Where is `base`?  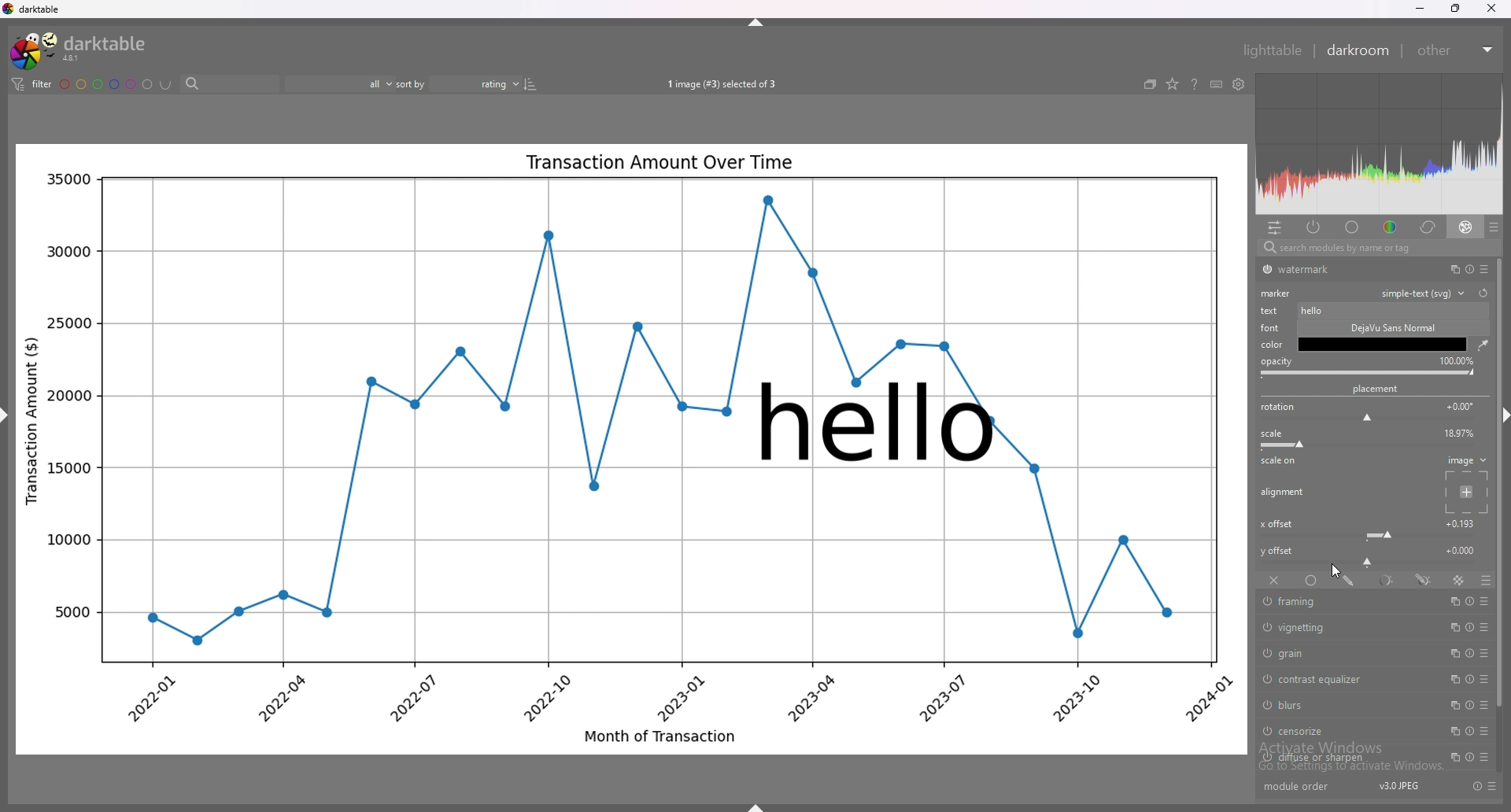
base is located at coordinates (1352, 227).